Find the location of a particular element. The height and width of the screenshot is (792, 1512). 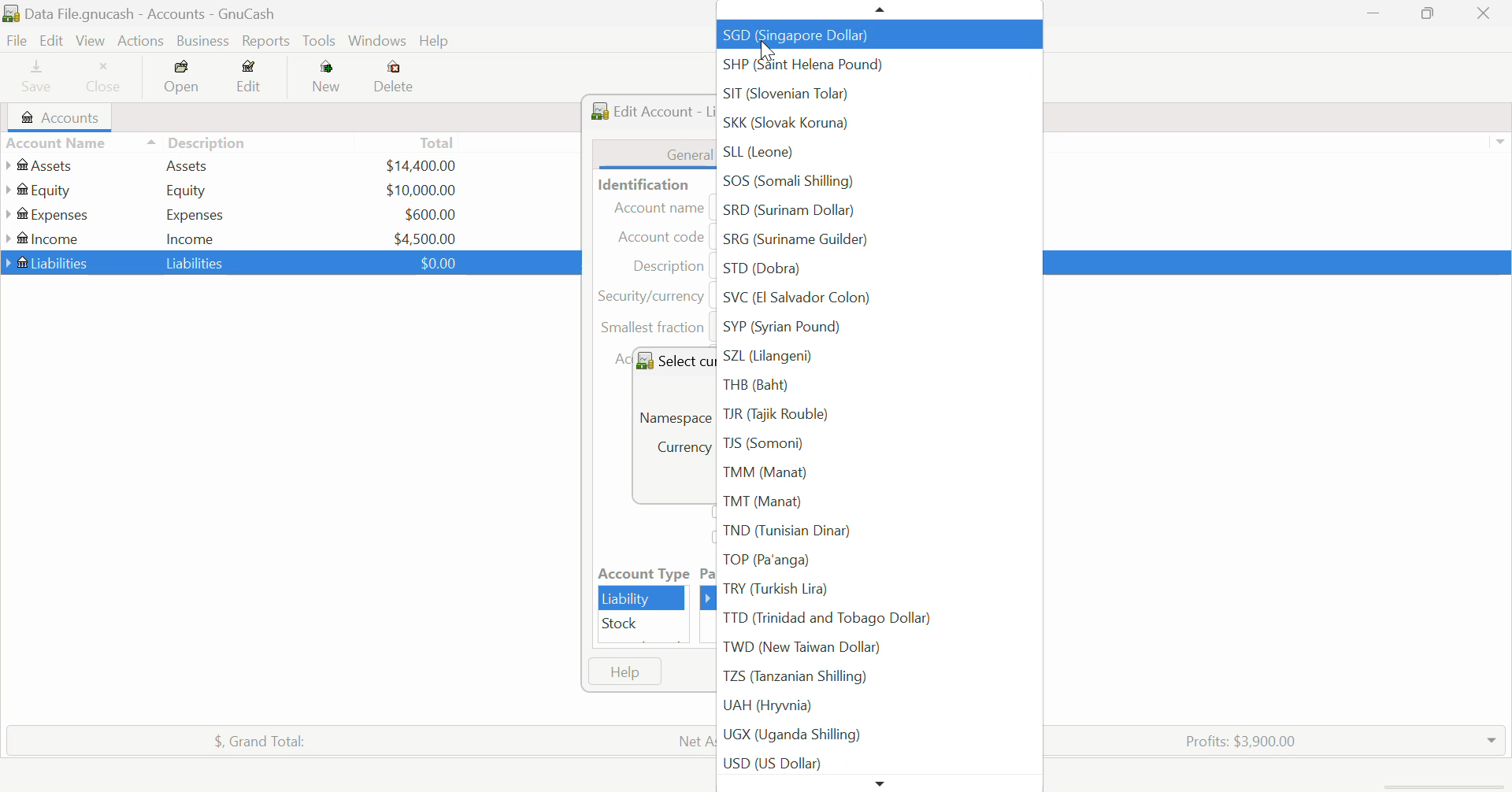

Actions is located at coordinates (139, 41).